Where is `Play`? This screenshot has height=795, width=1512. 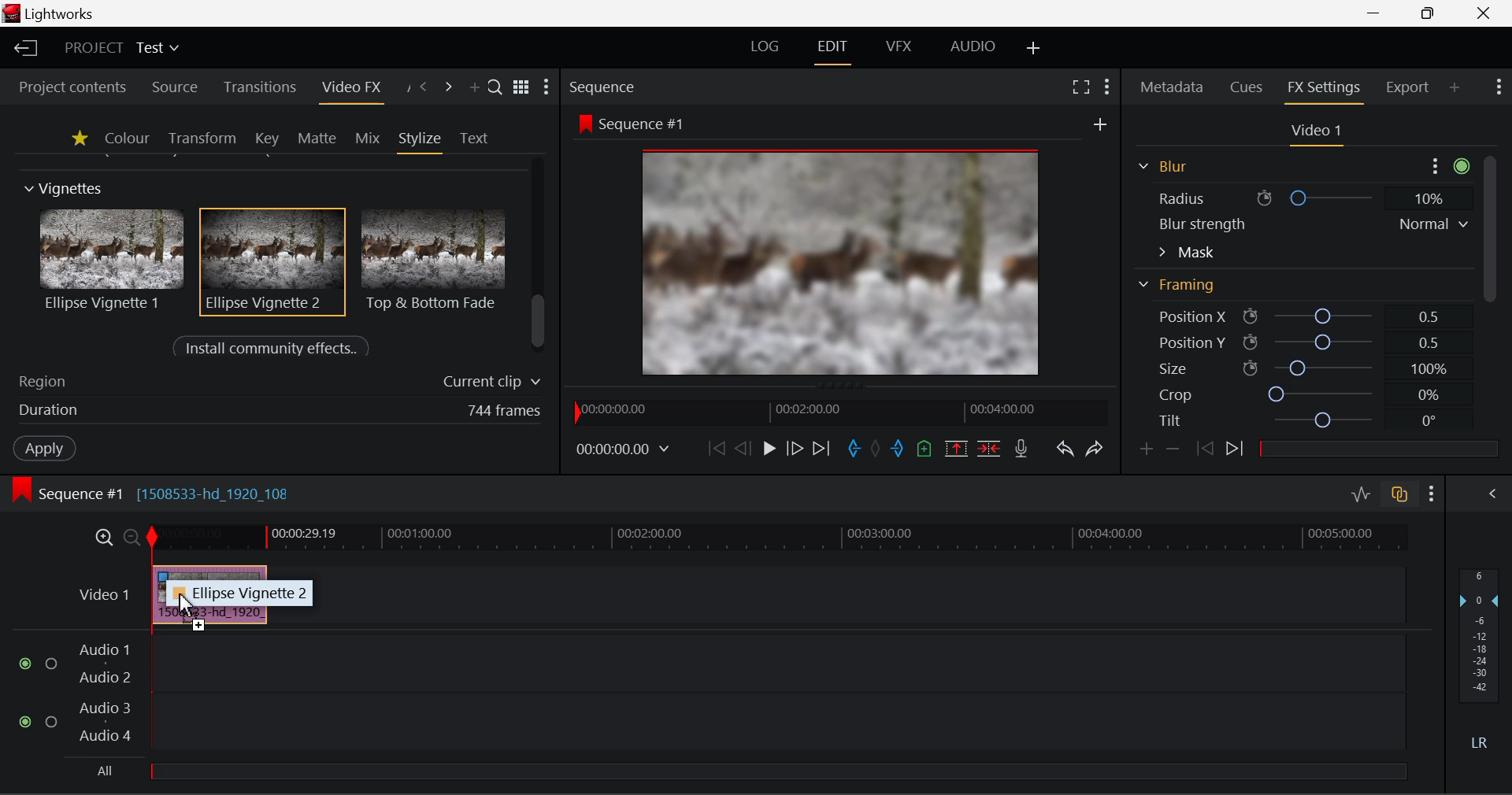
Play is located at coordinates (767, 449).